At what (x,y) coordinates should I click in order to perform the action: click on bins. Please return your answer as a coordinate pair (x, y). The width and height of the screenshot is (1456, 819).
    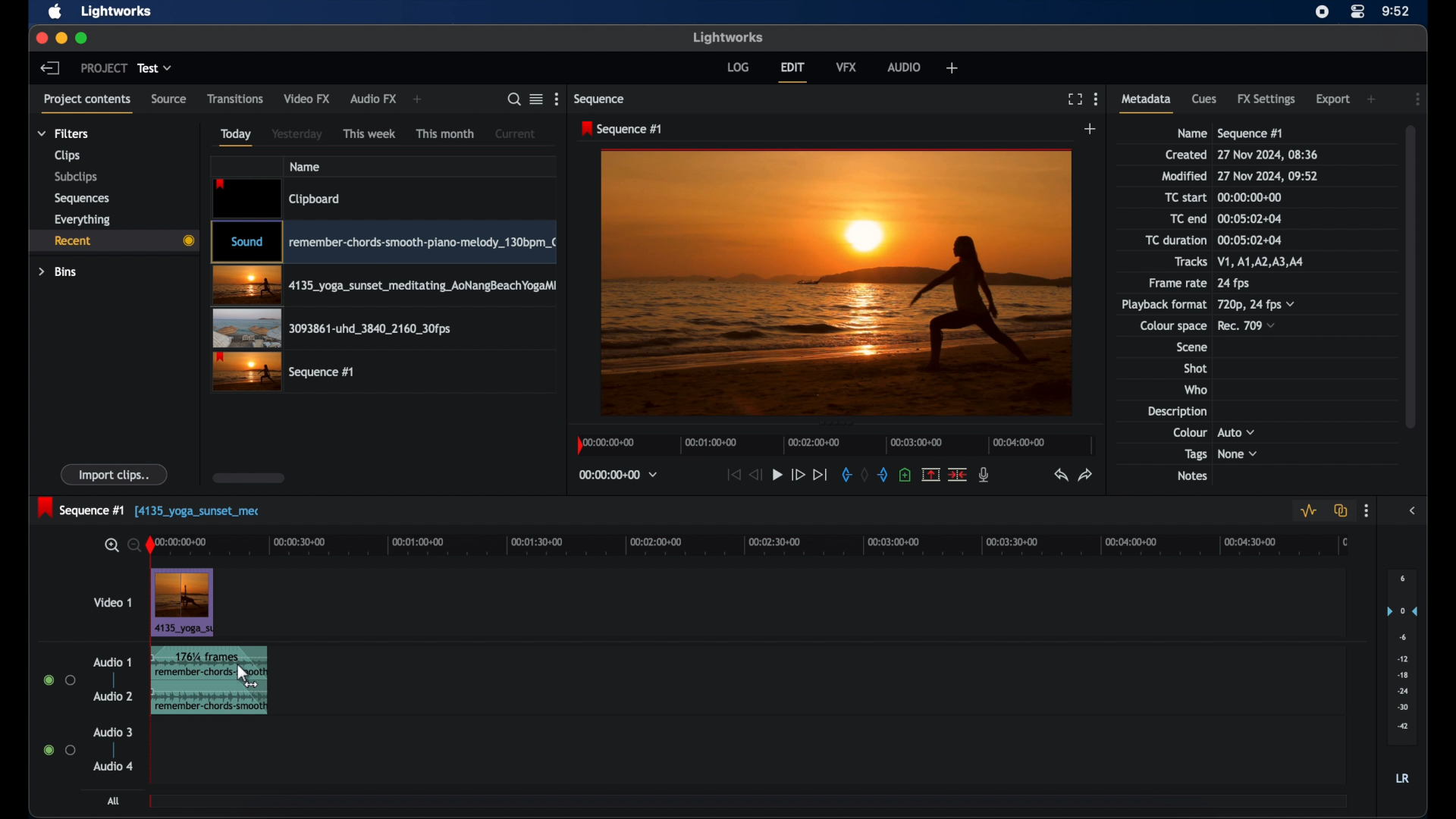
    Looking at the image, I should click on (58, 272).